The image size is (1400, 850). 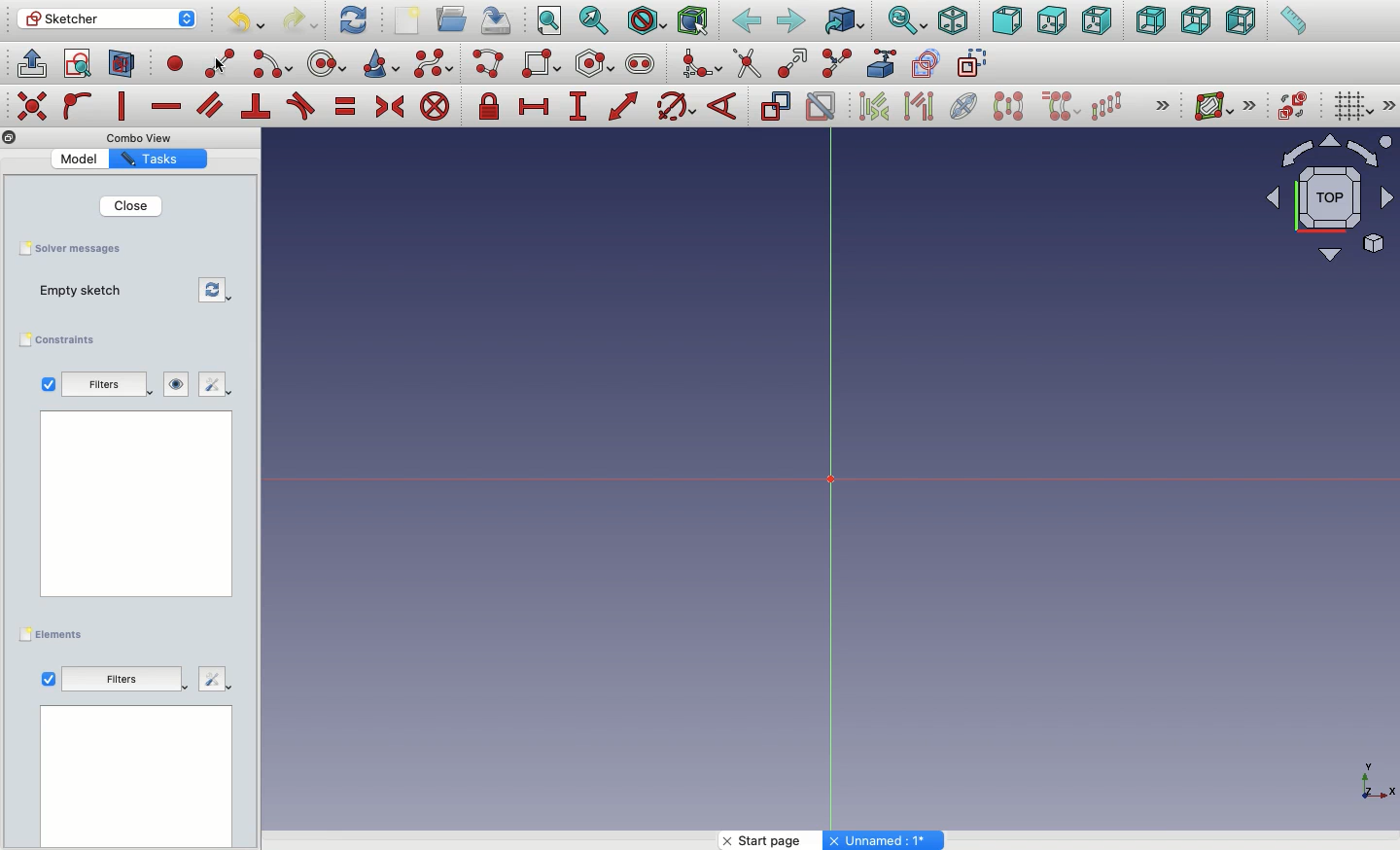 I want to click on trim edge, so click(x=747, y=64).